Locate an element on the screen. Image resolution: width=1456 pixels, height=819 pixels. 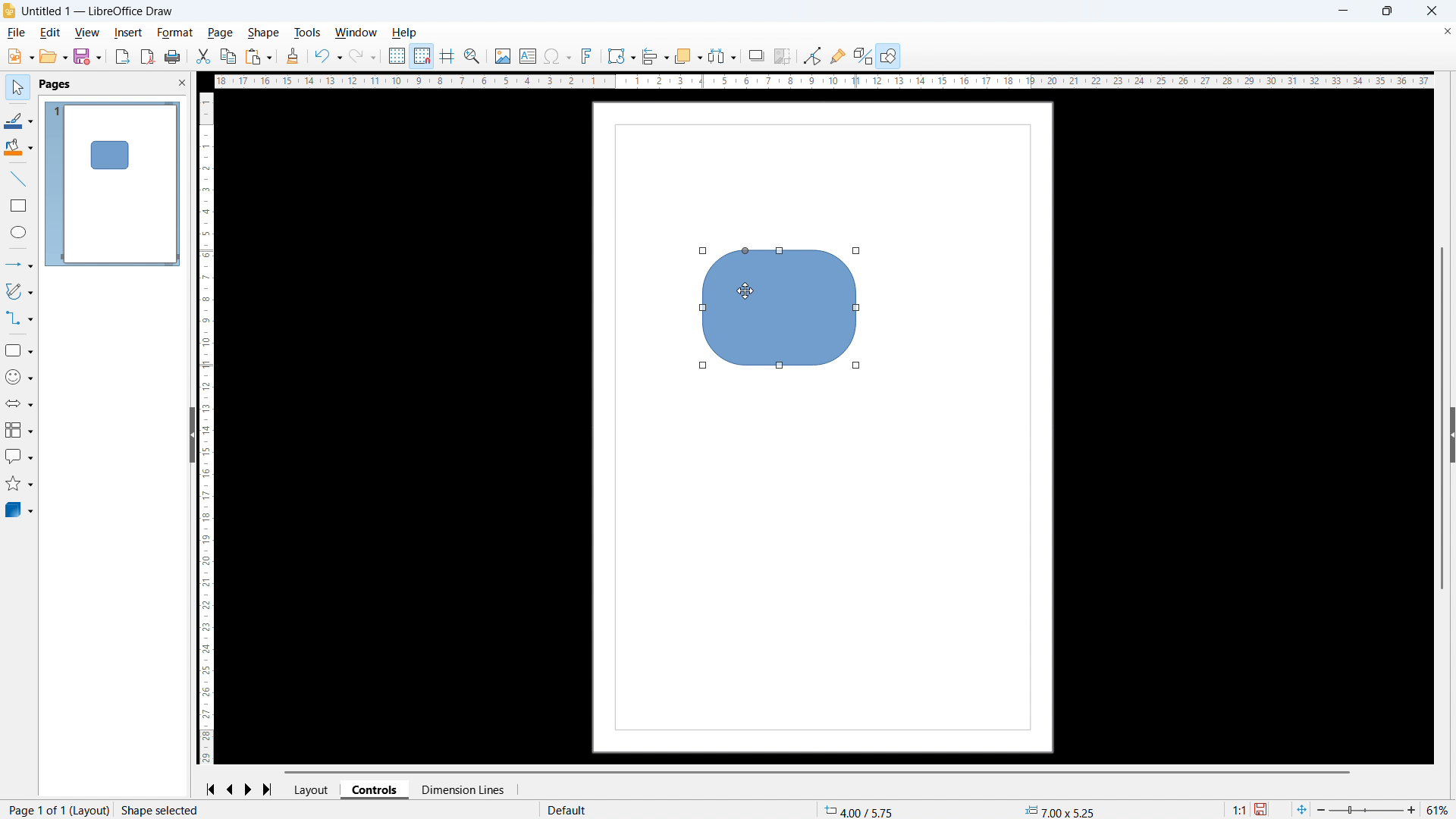
Page number  is located at coordinates (56, 810).